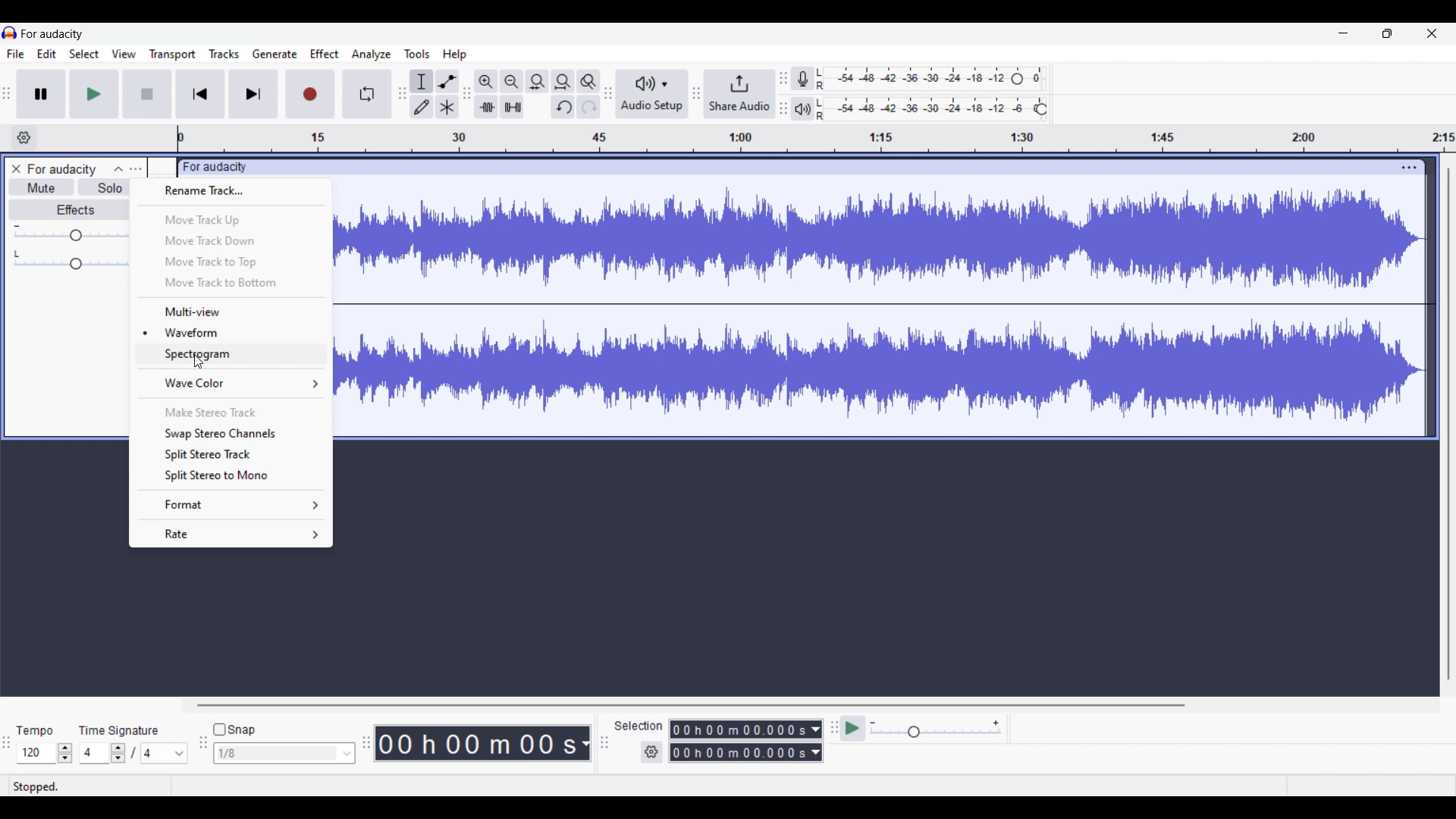  What do you see at coordinates (10, 33) in the screenshot?
I see `Software logo` at bounding box center [10, 33].